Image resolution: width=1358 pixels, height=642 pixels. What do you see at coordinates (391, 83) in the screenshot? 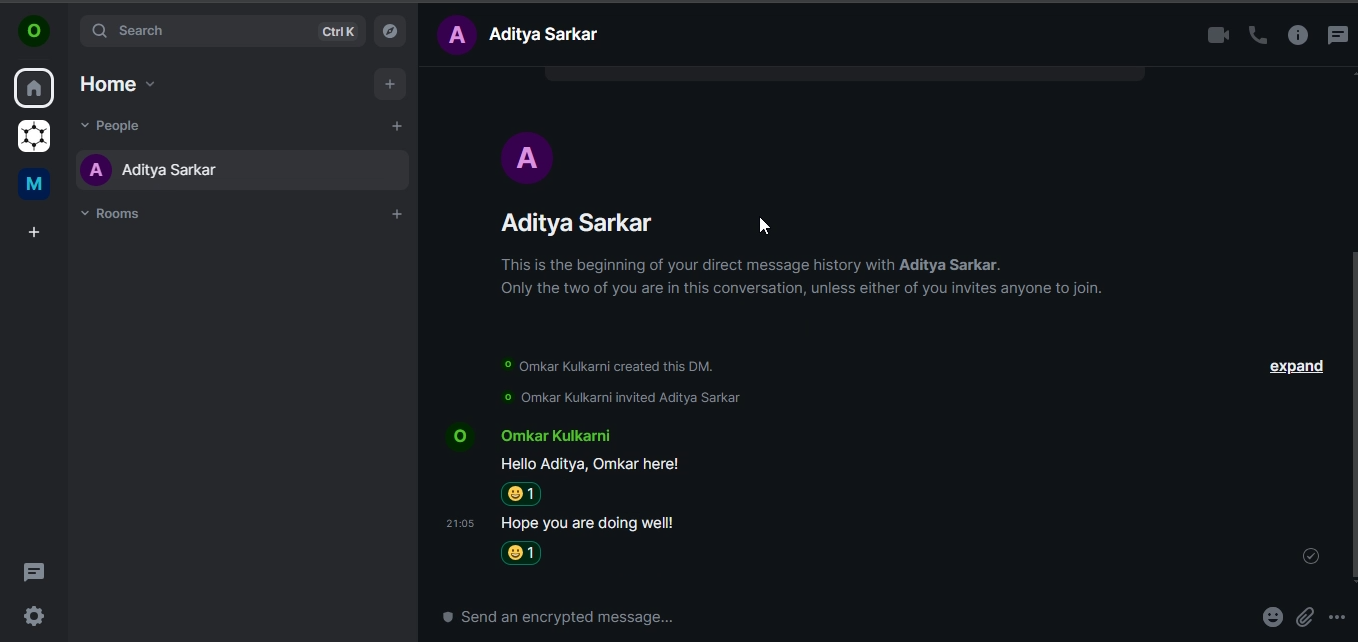
I see `add` at bounding box center [391, 83].